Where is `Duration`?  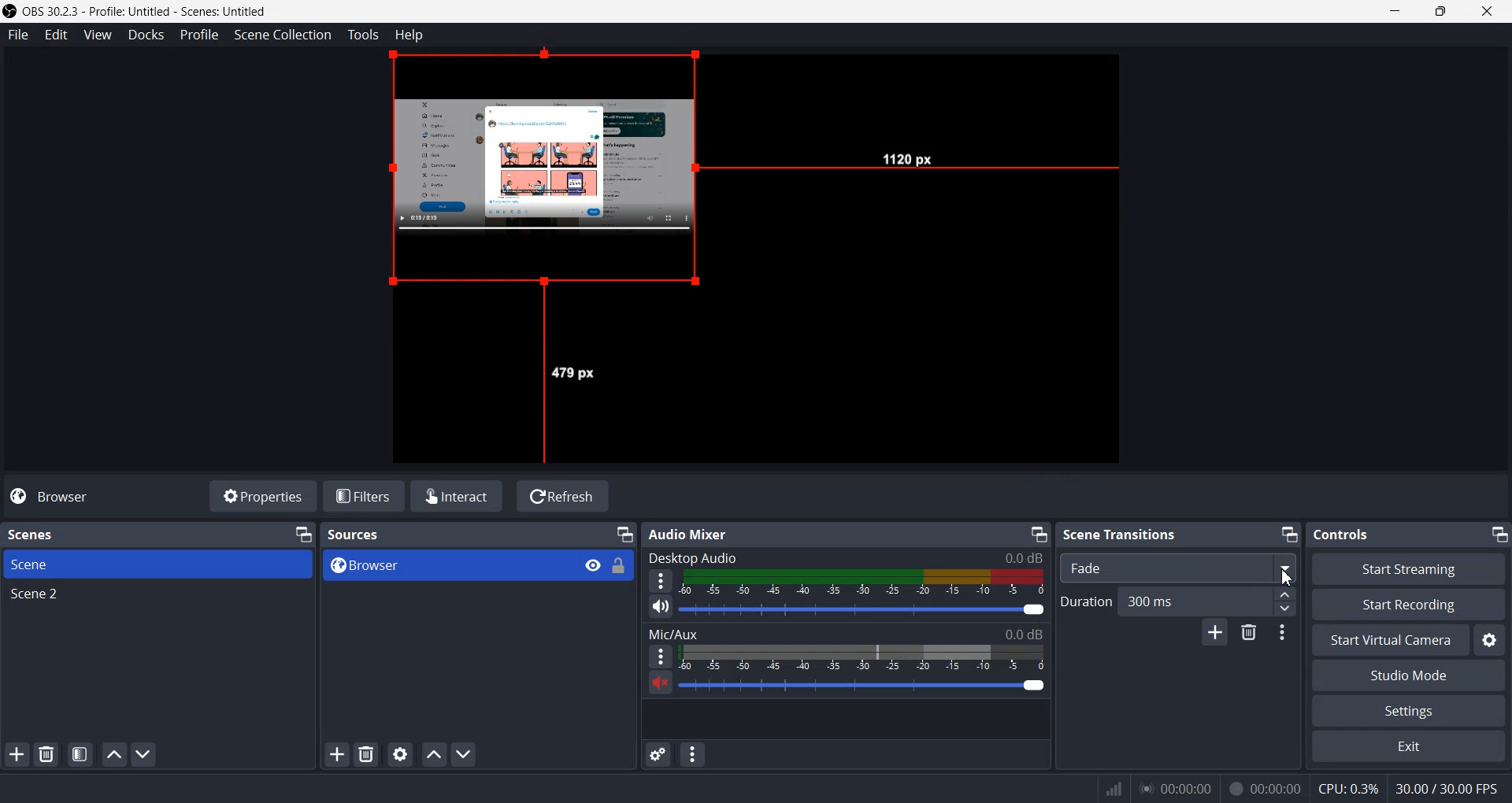
Duration is located at coordinates (1164, 601).